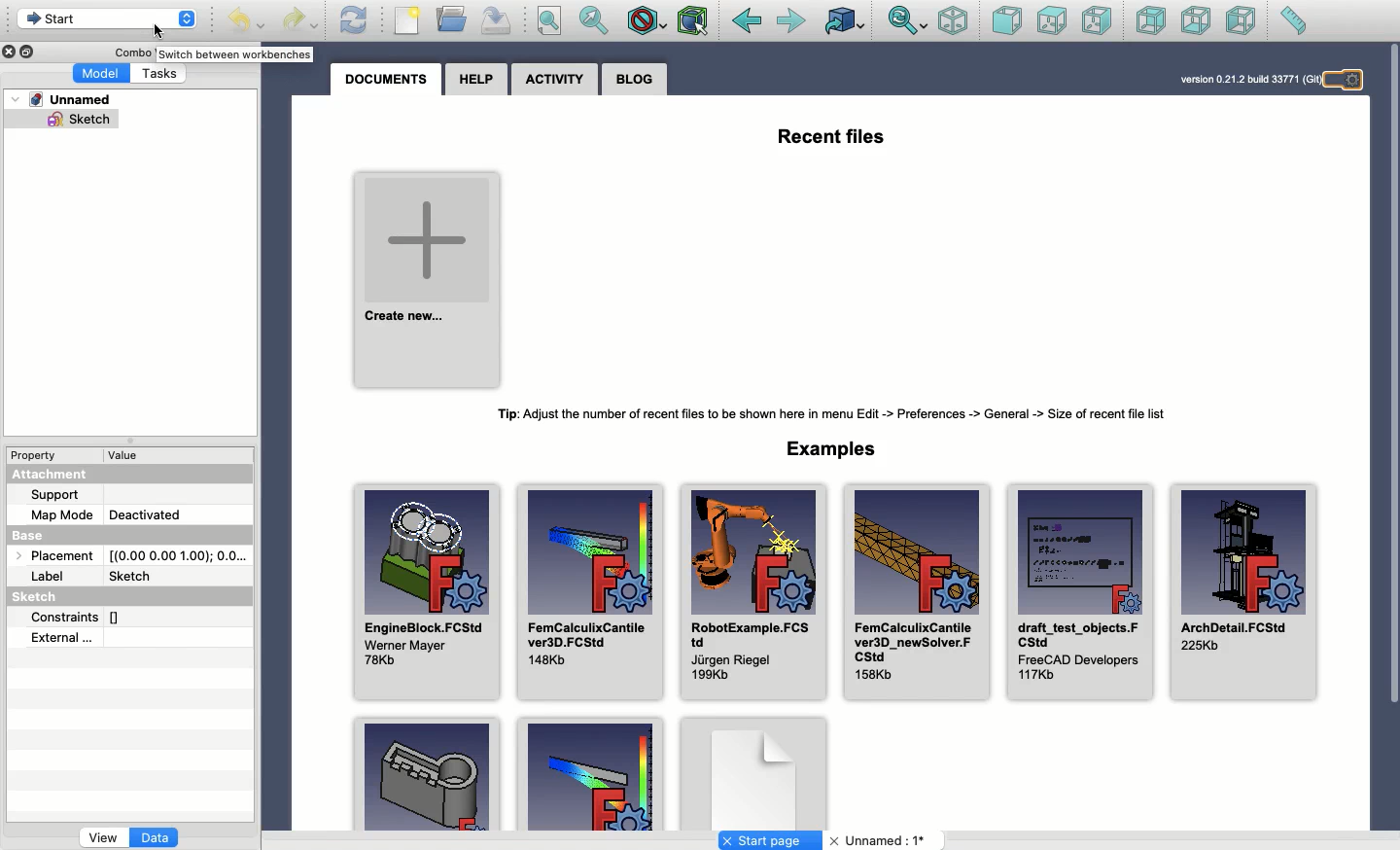 The width and height of the screenshot is (1400, 850). Describe the element at coordinates (39, 538) in the screenshot. I see `Base` at that location.